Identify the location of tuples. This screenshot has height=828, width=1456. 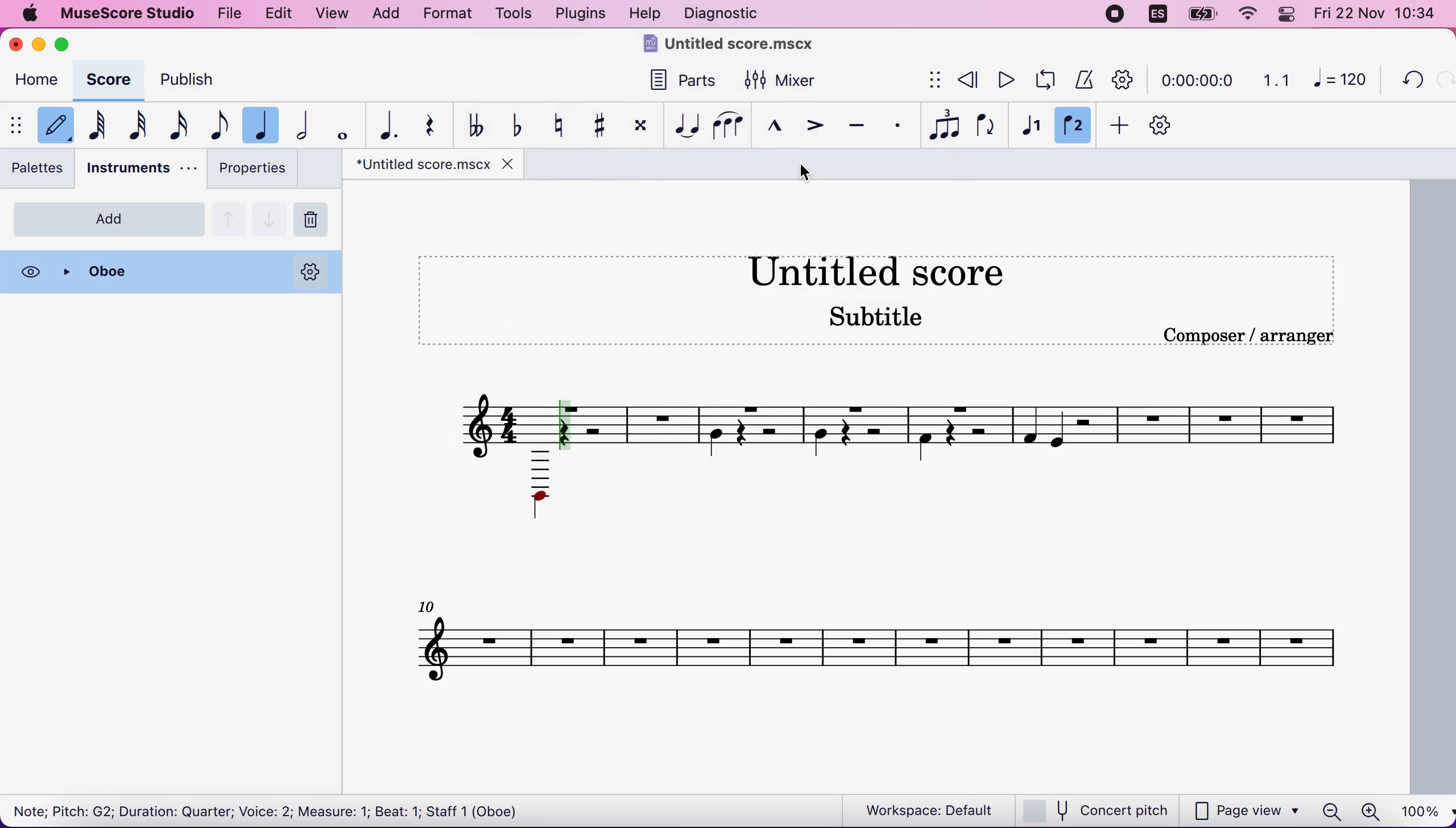
(938, 125).